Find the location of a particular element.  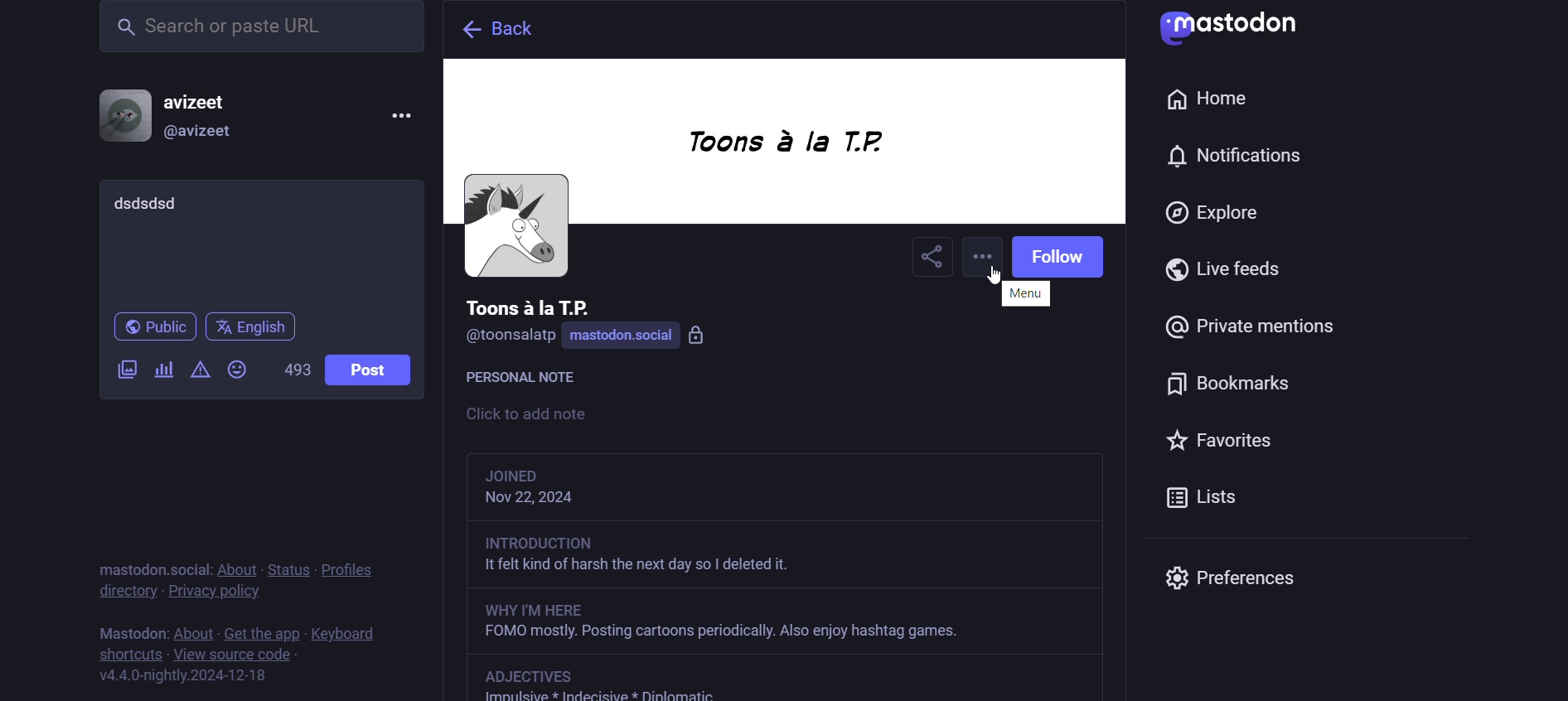

Cursor is located at coordinates (993, 274).